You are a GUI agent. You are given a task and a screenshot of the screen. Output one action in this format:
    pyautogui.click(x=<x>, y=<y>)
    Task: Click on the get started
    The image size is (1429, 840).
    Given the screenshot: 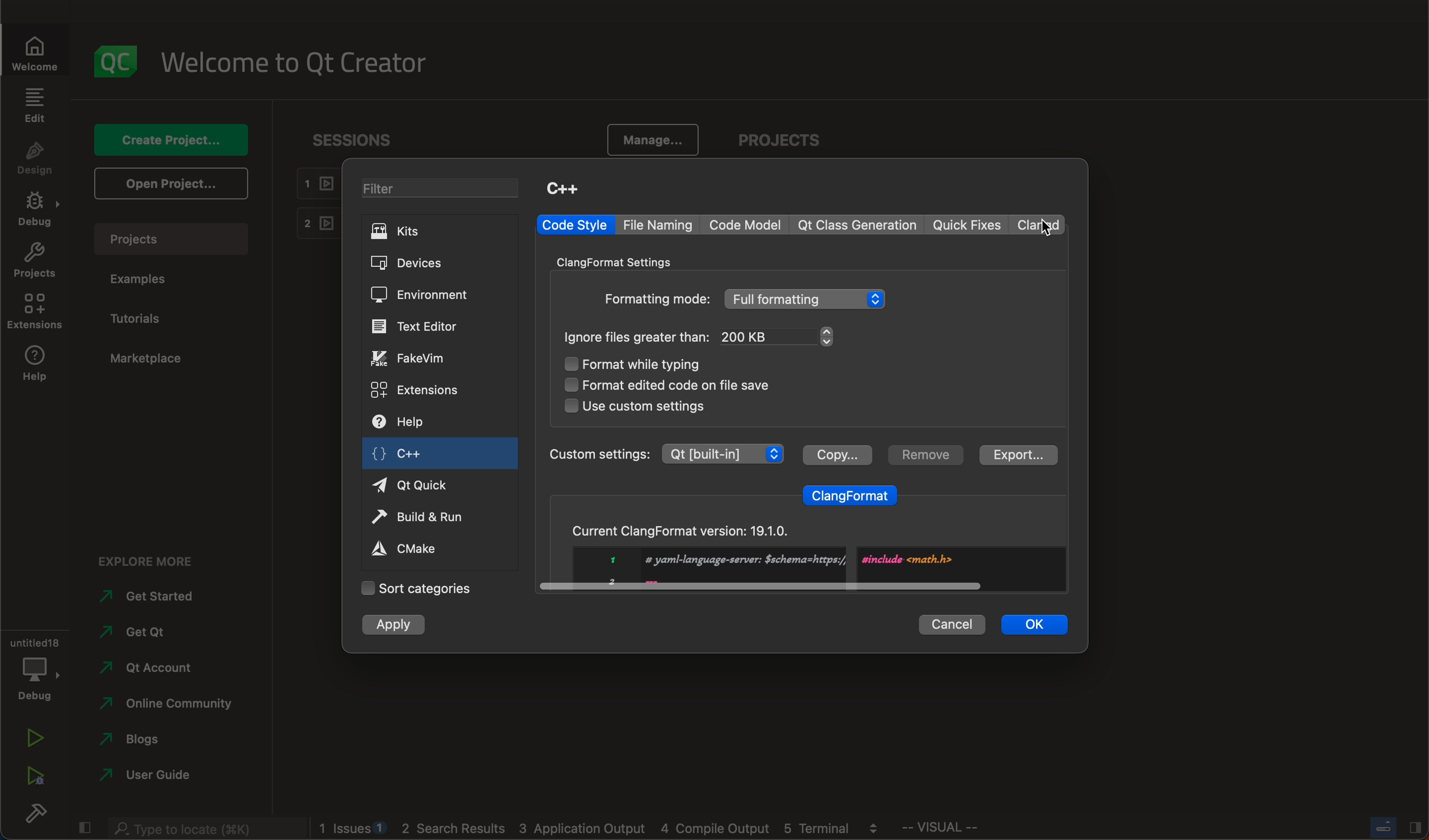 What is the action you would take?
    pyautogui.click(x=153, y=596)
    